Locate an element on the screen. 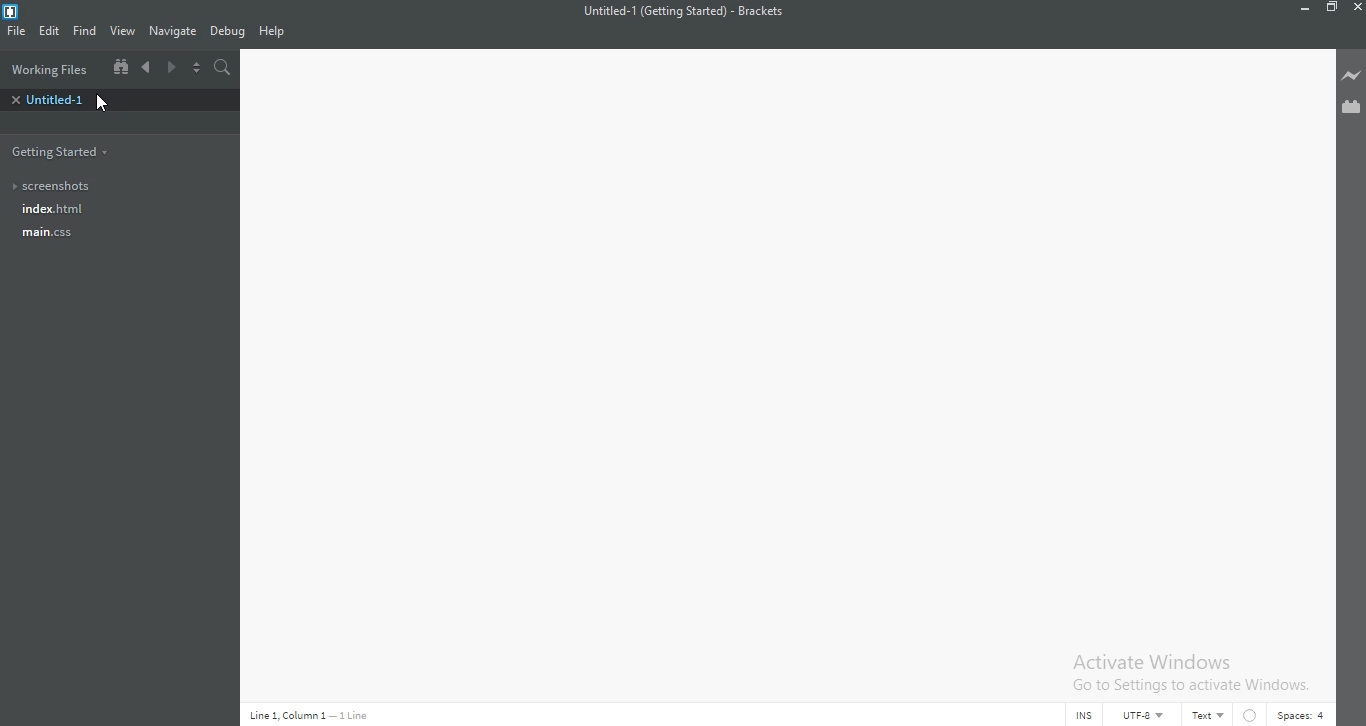 This screenshot has height=726, width=1366. INS is located at coordinates (1085, 717).